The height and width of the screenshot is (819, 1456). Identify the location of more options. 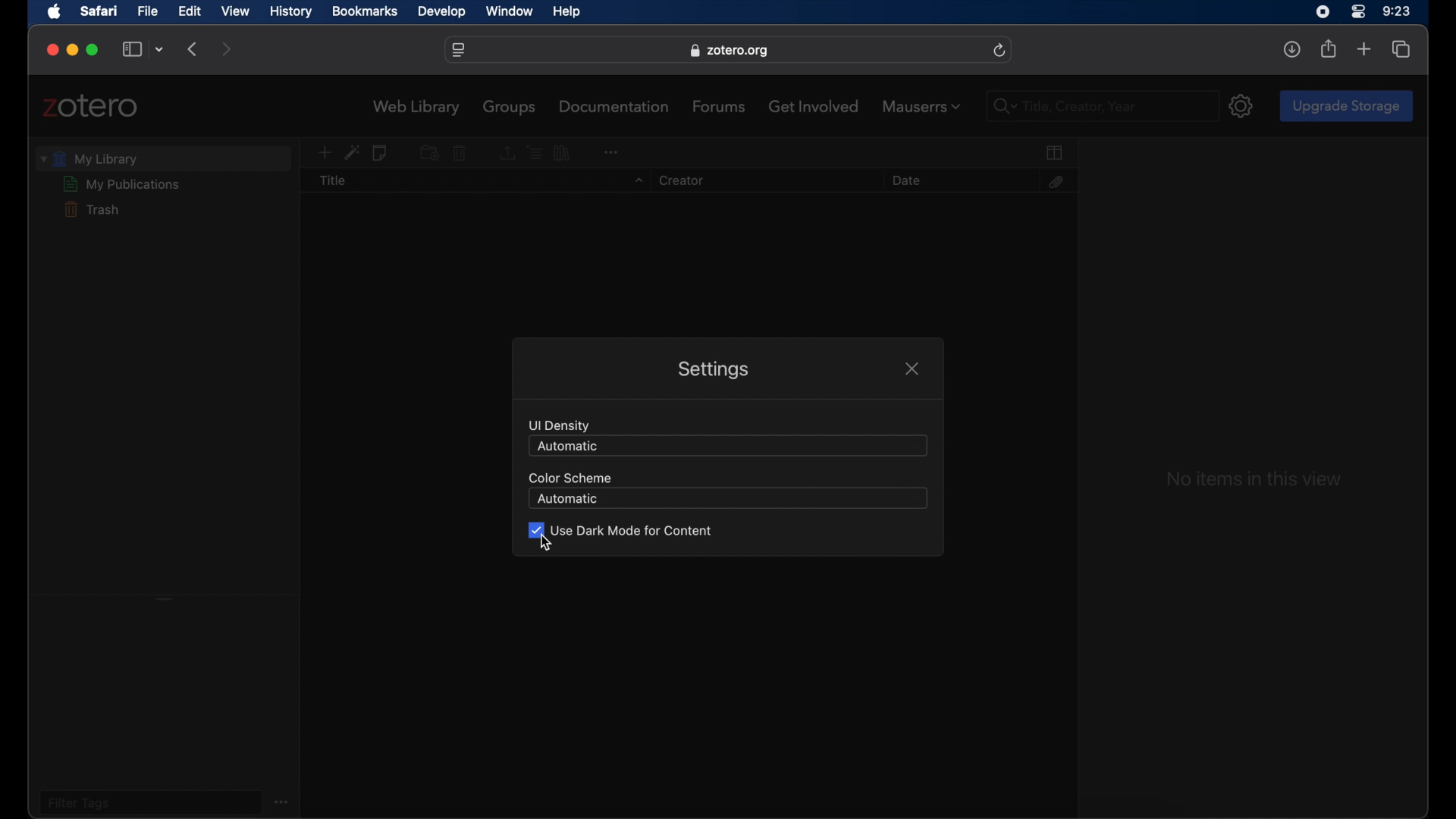
(284, 801).